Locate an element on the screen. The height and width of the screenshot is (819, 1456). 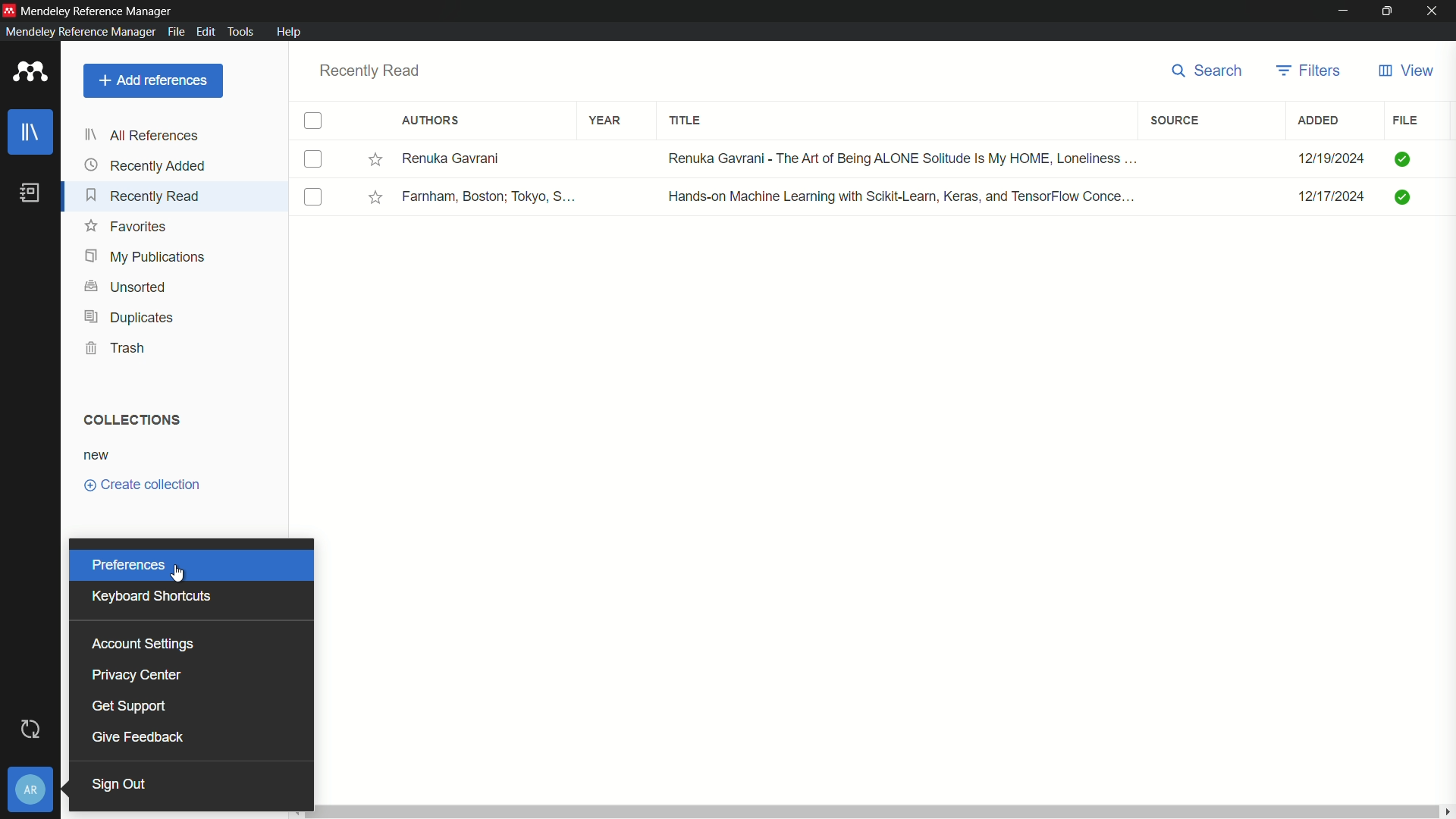
mendeley reference manager is located at coordinates (80, 32).